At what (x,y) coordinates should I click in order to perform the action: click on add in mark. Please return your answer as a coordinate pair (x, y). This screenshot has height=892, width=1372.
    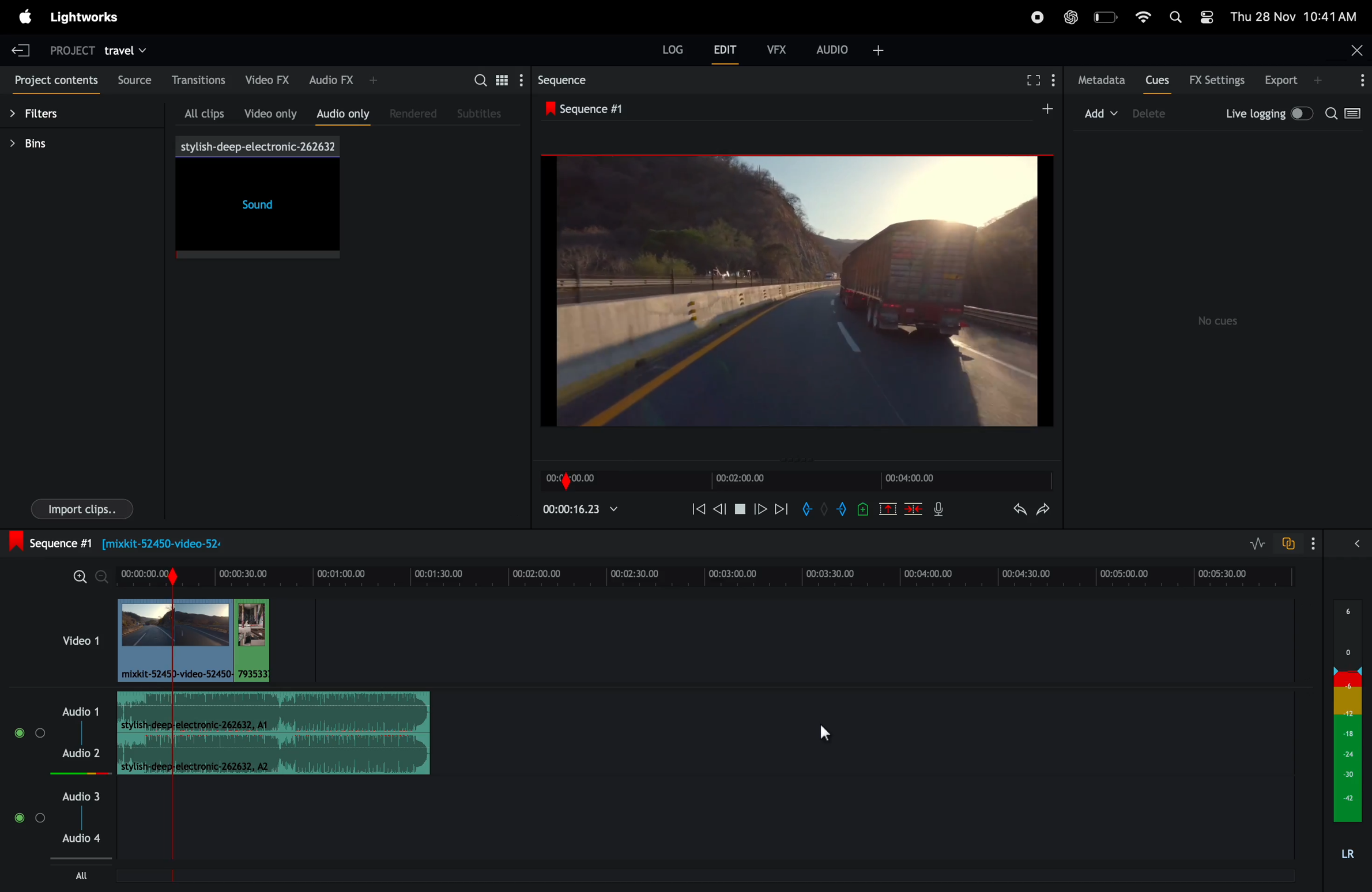
    Looking at the image, I should click on (808, 509).